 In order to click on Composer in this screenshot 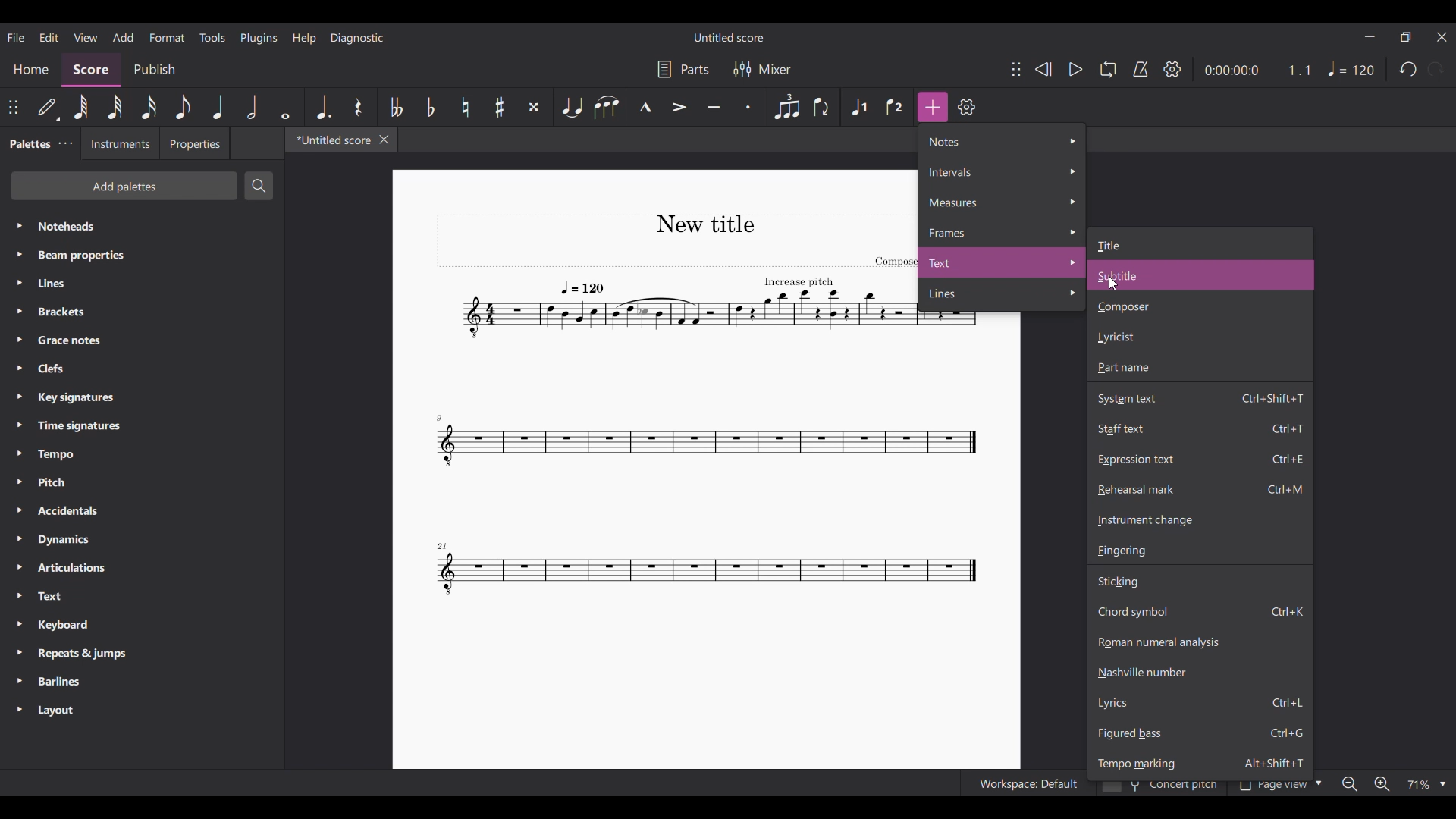, I will do `click(1200, 307)`.